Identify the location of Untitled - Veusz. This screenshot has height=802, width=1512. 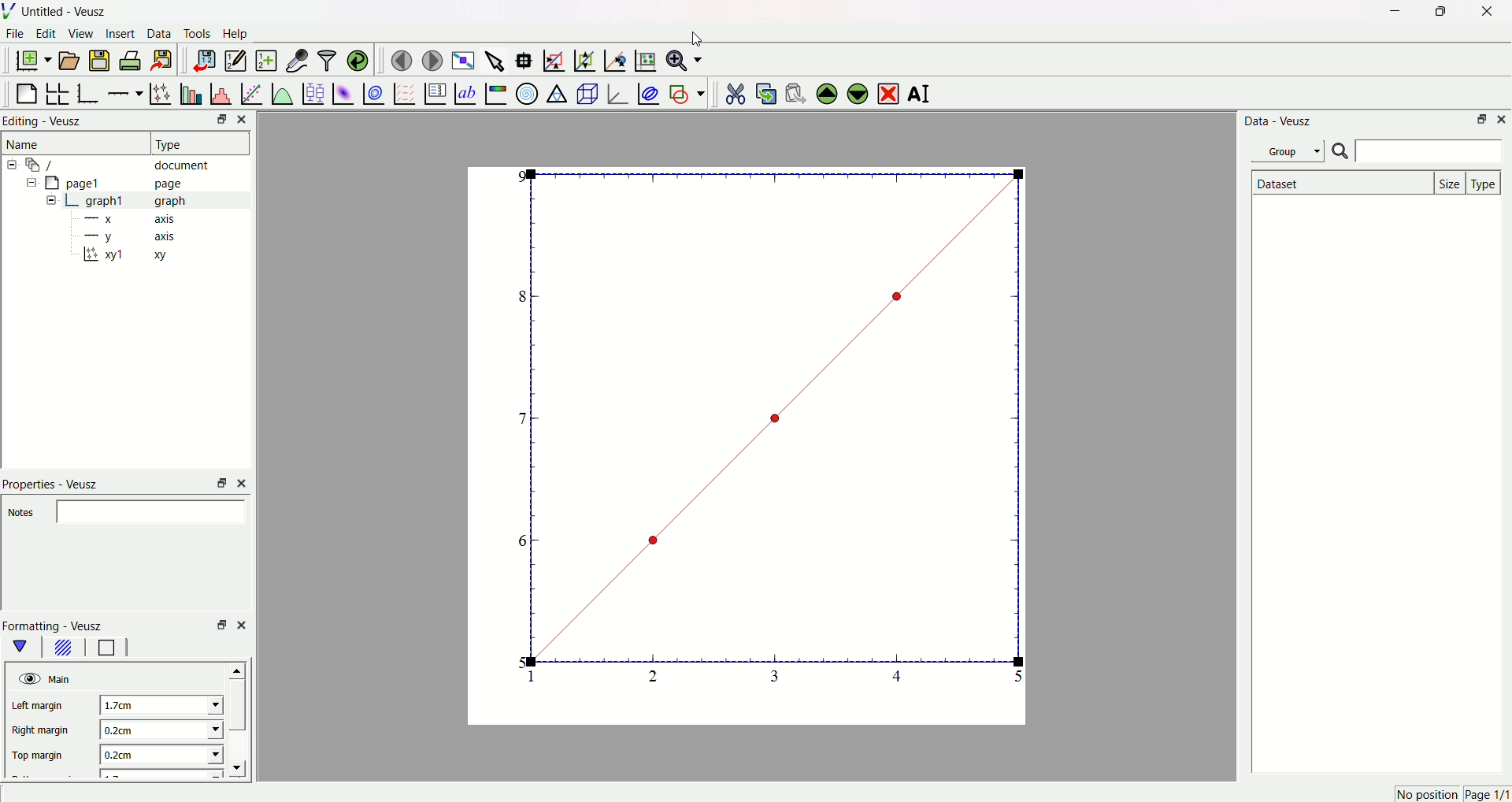
(67, 13).